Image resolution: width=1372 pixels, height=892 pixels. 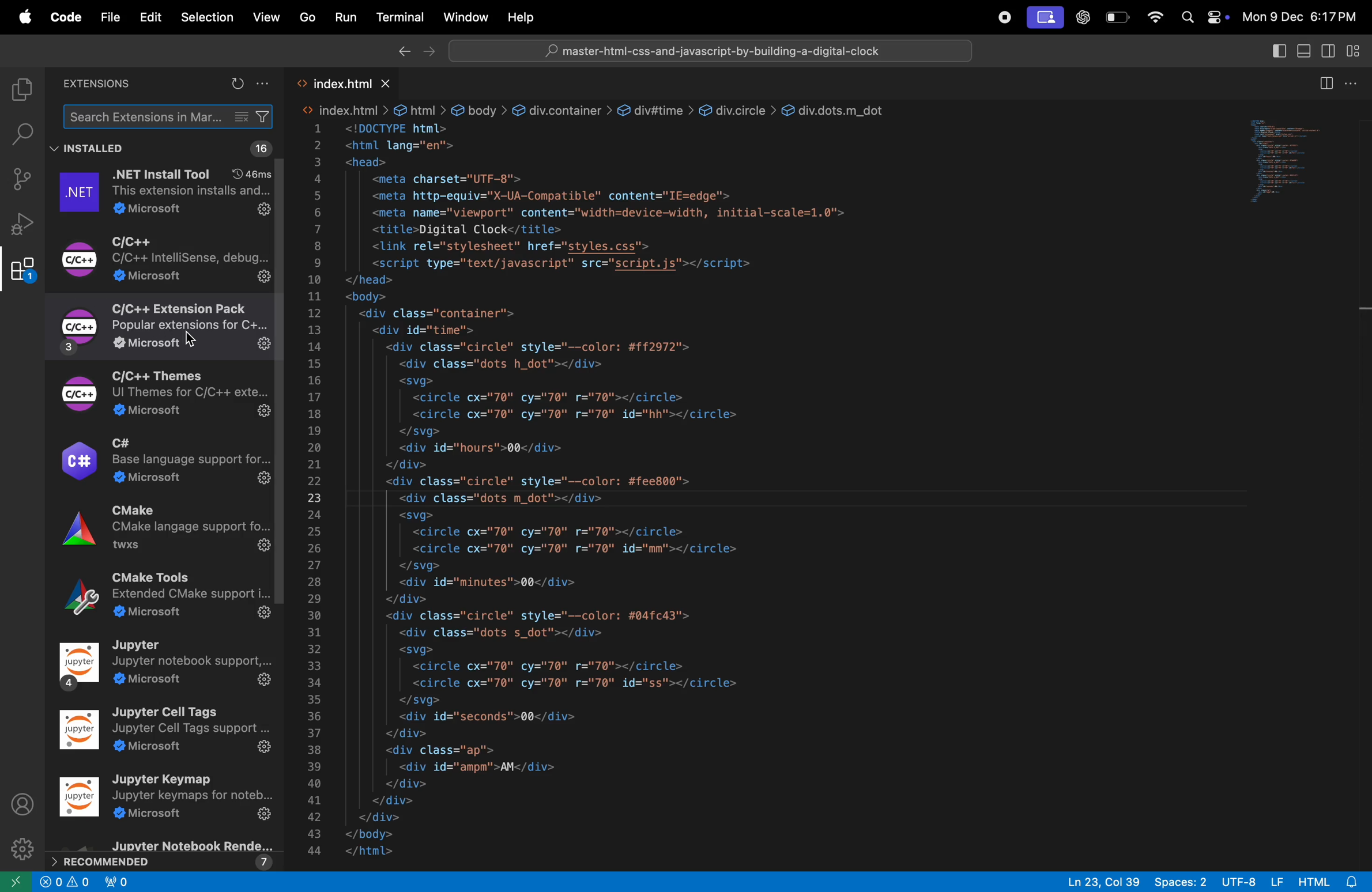 What do you see at coordinates (402, 50) in the screenshot?
I see `go back` at bounding box center [402, 50].